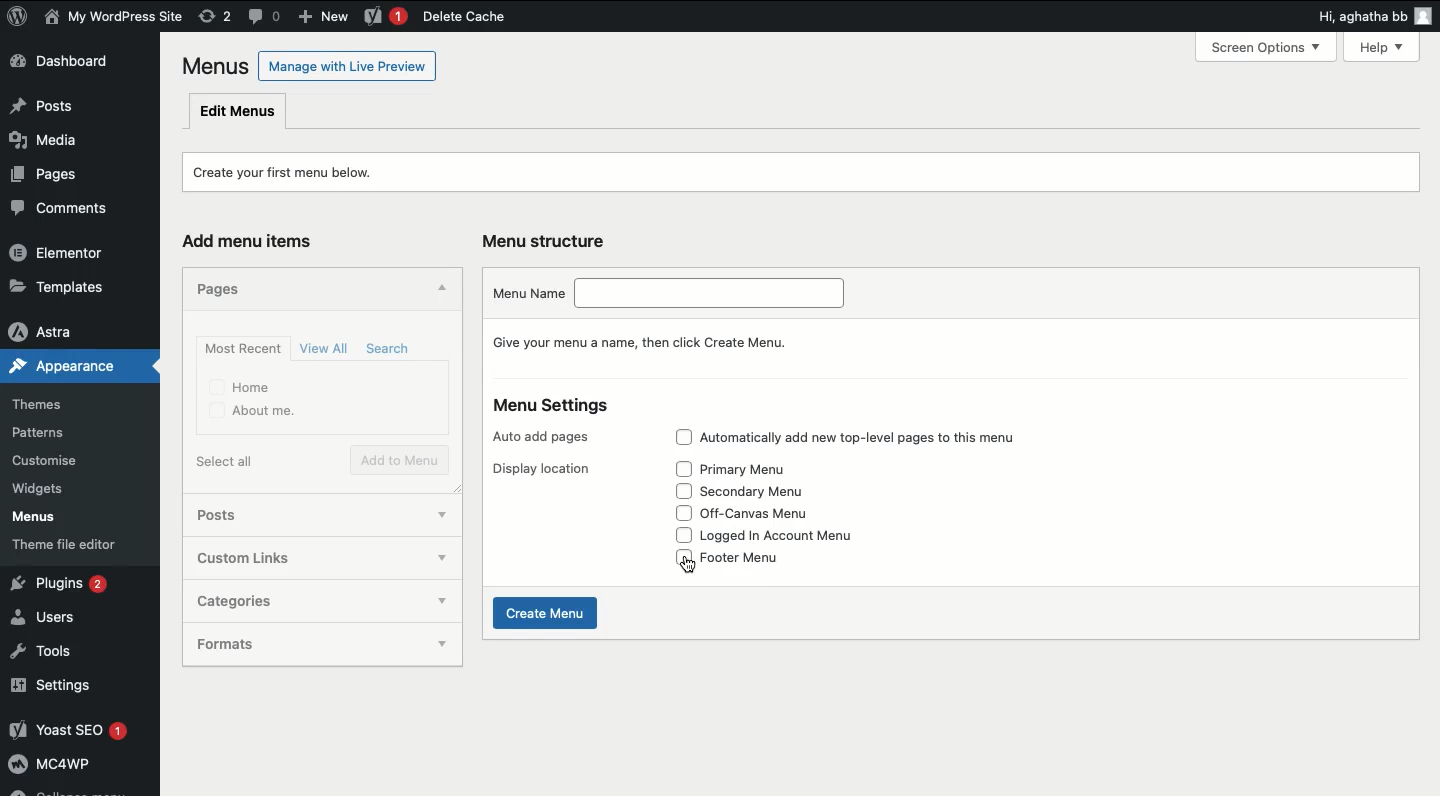 This screenshot has height=796, width=1440. What do you see at coordinates (426, 513) in the screenshot?
I see `show` at bounding box center [426, 513].